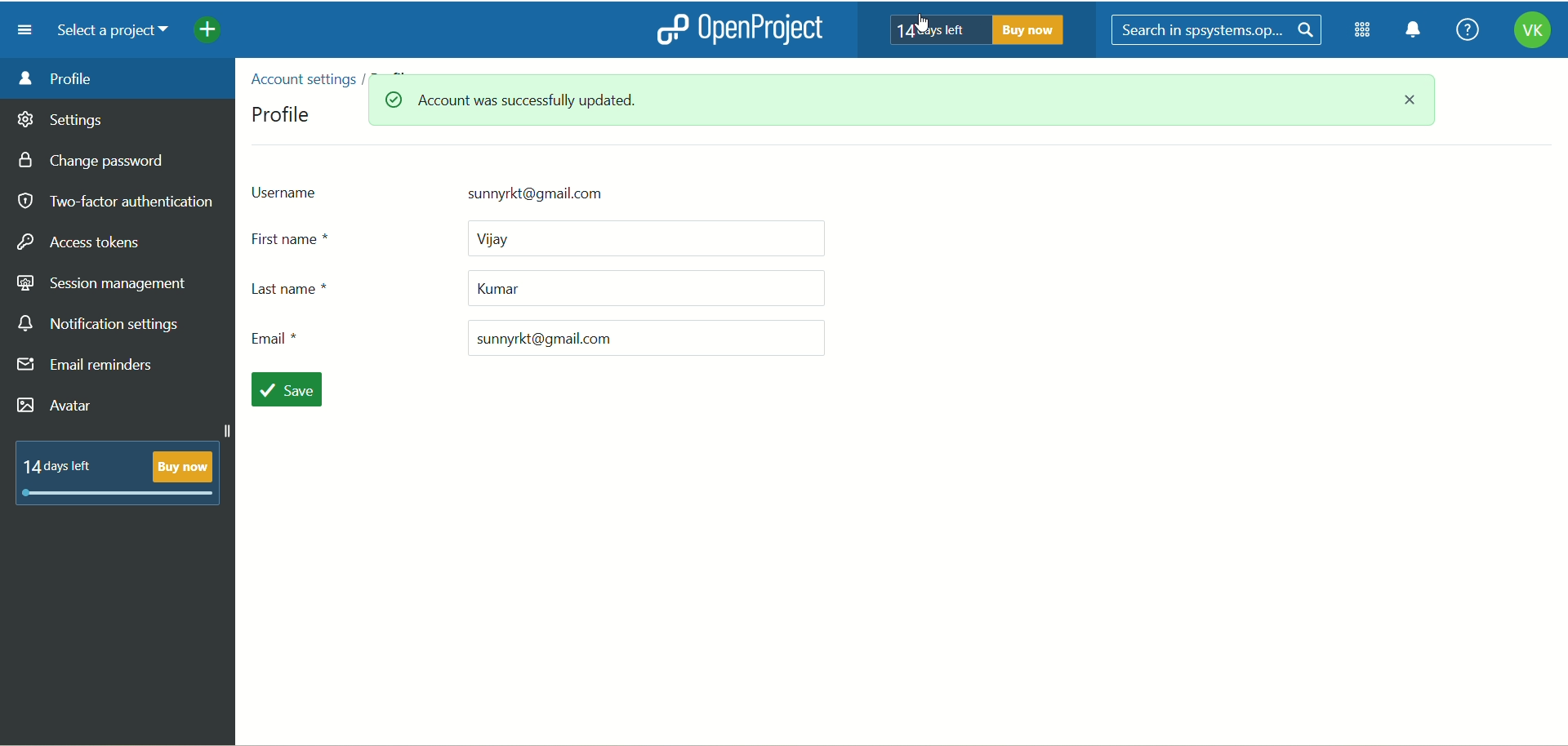 The image size is (1568, 746). What do you see at coordinates (1414, 104) in the screenshot?
I see `close` at bounding box center [1414, 104].